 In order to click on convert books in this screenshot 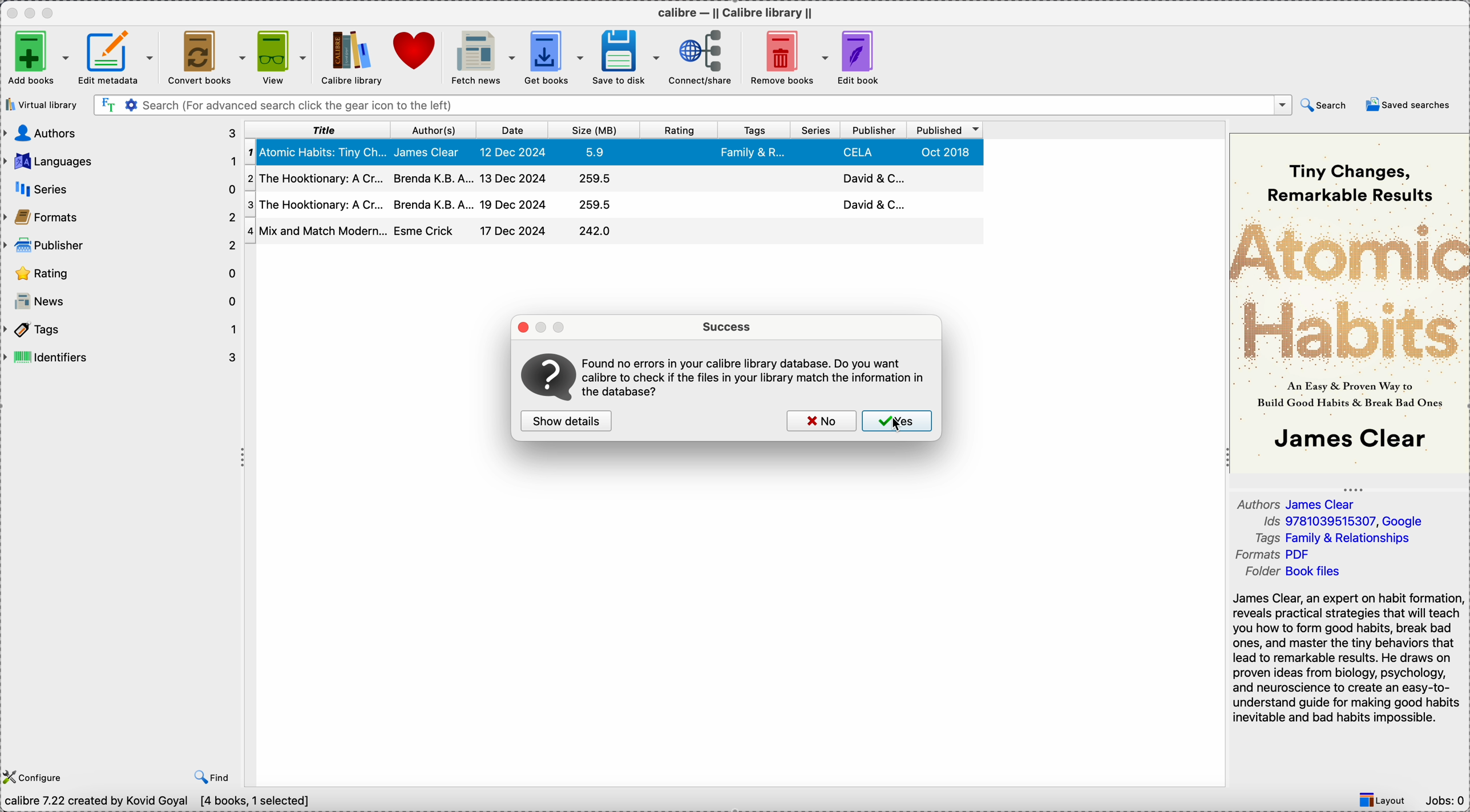, I will do `click(207, 57)`.